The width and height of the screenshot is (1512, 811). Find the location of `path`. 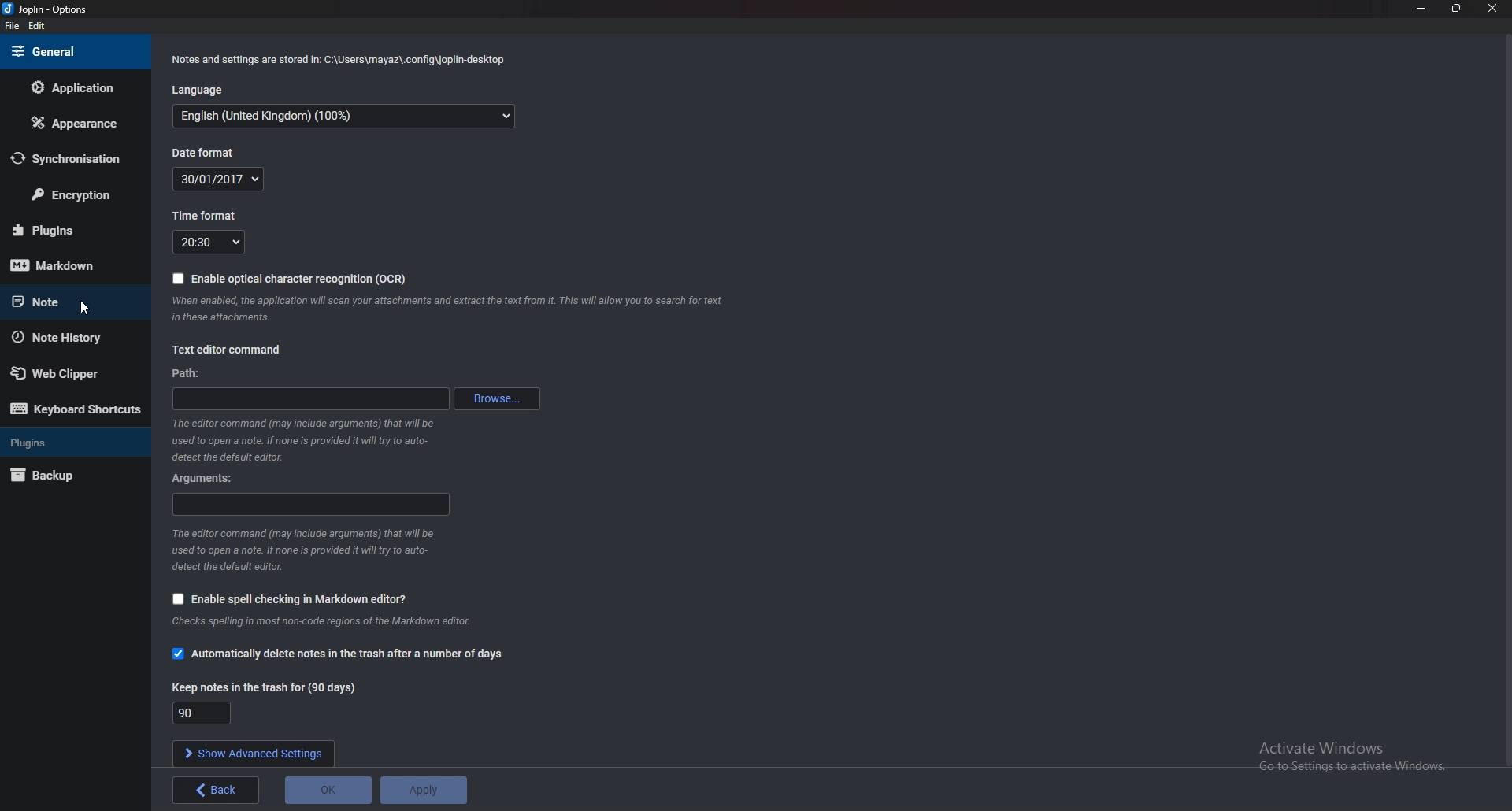

path is located at coordinates (310, 398).